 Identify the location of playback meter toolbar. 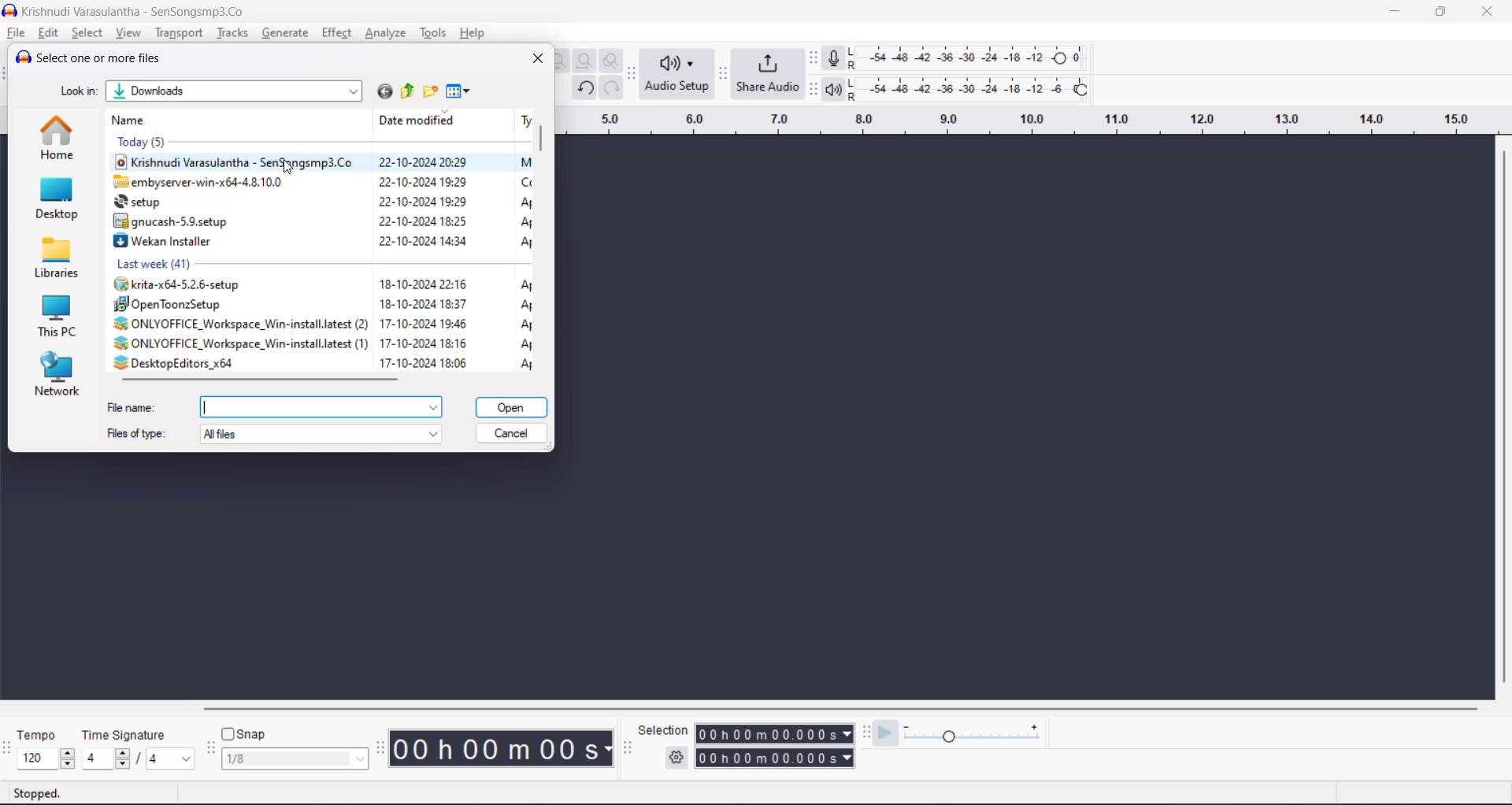
(812, 89).